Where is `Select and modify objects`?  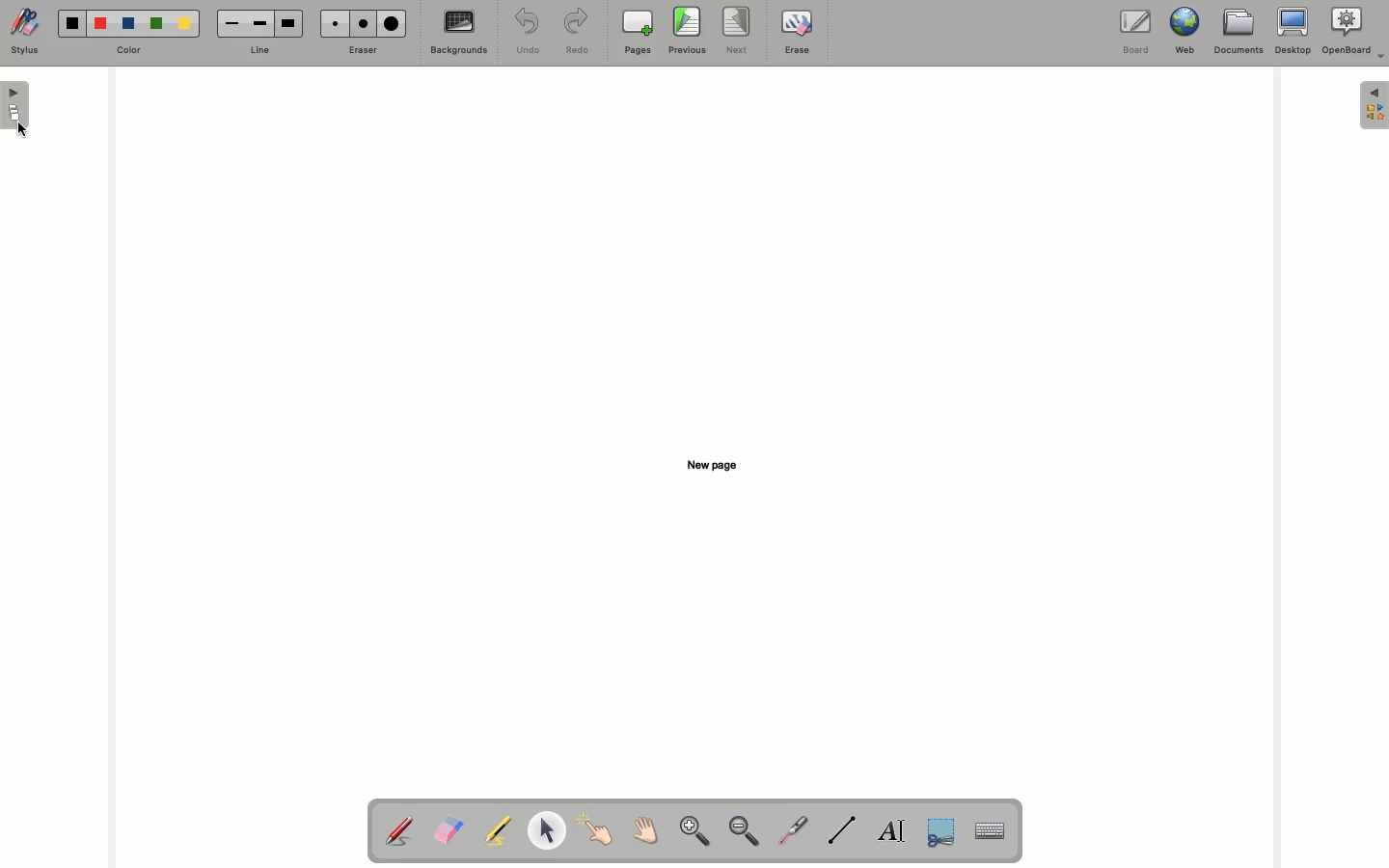 Select and modify objects is located at coordinates (546, 830).